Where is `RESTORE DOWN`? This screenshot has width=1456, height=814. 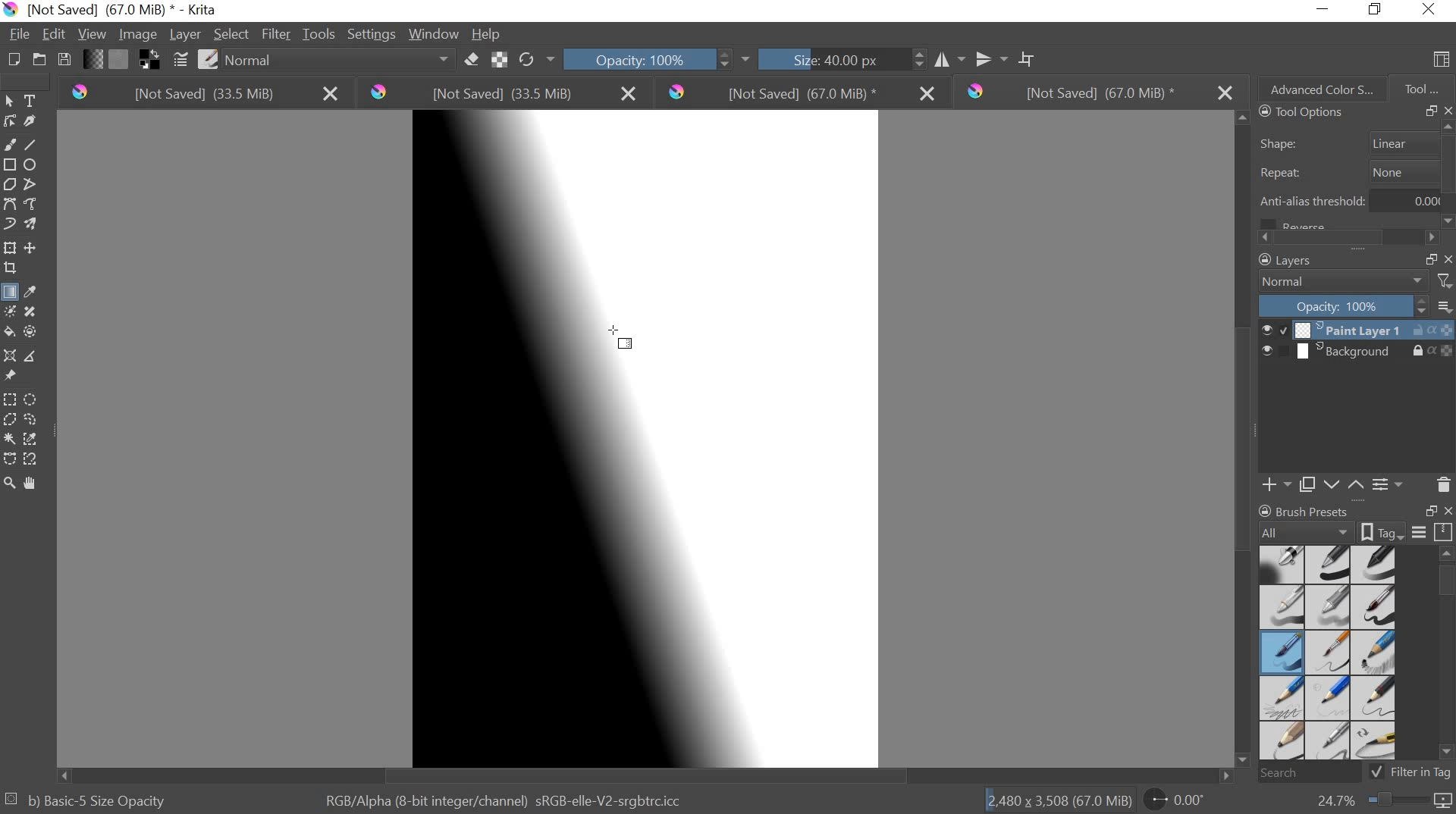 RESTORE DOWN is located at coordinates (1430, 258).